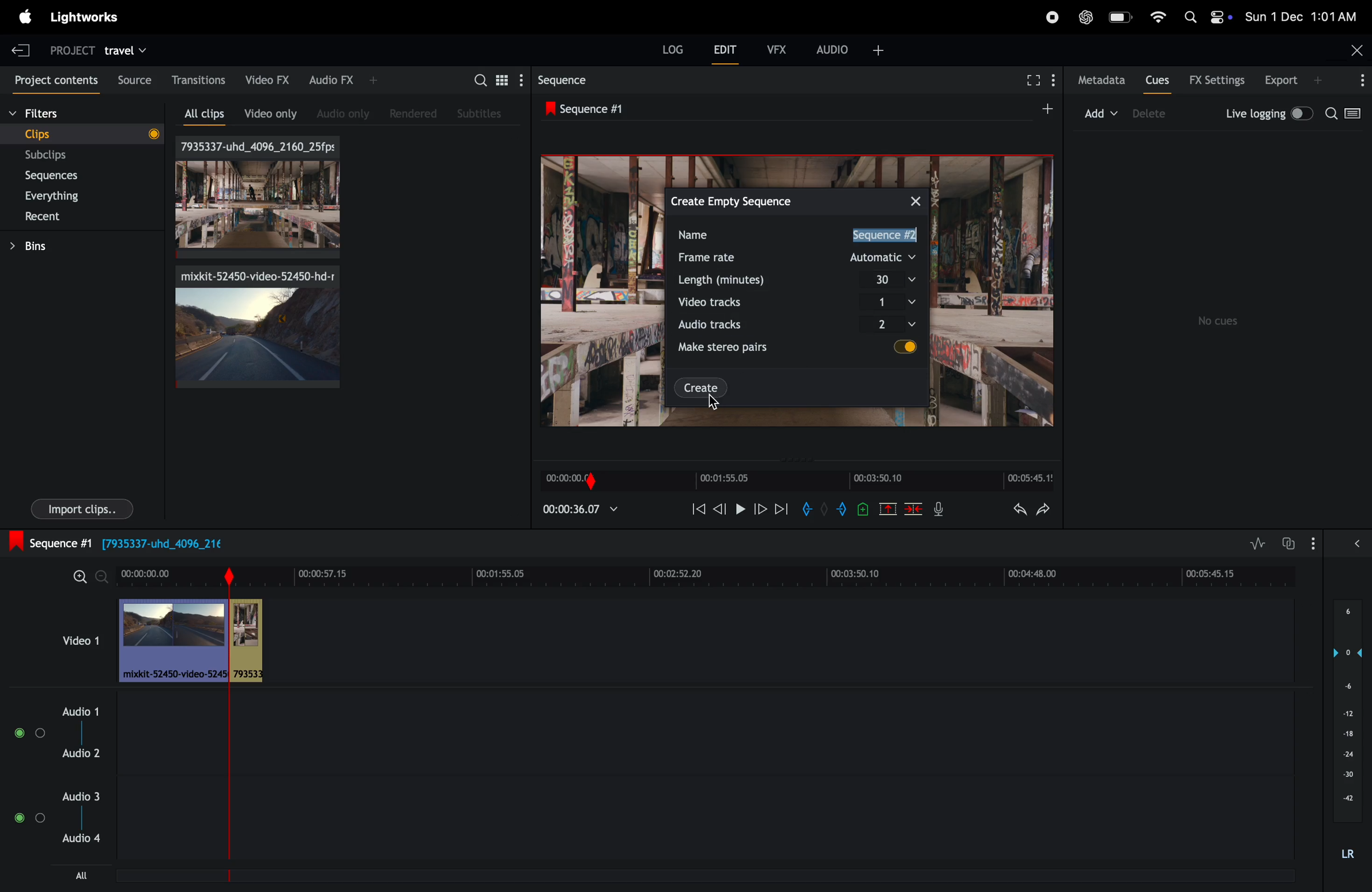 This screenshot has width=1372, height=892. Describe the element at coordinates (200, 78) in the screenshot. I see `transitions` at that location.